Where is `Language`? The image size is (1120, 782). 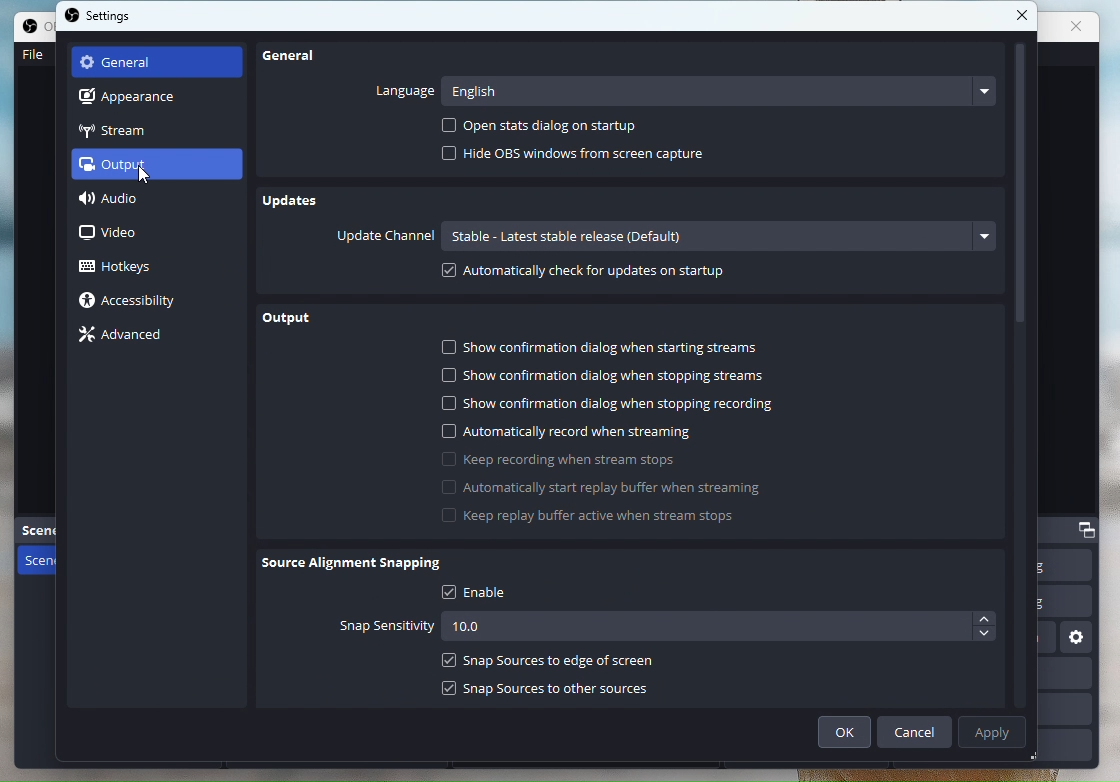 Language is located at coordinates (404, 91).